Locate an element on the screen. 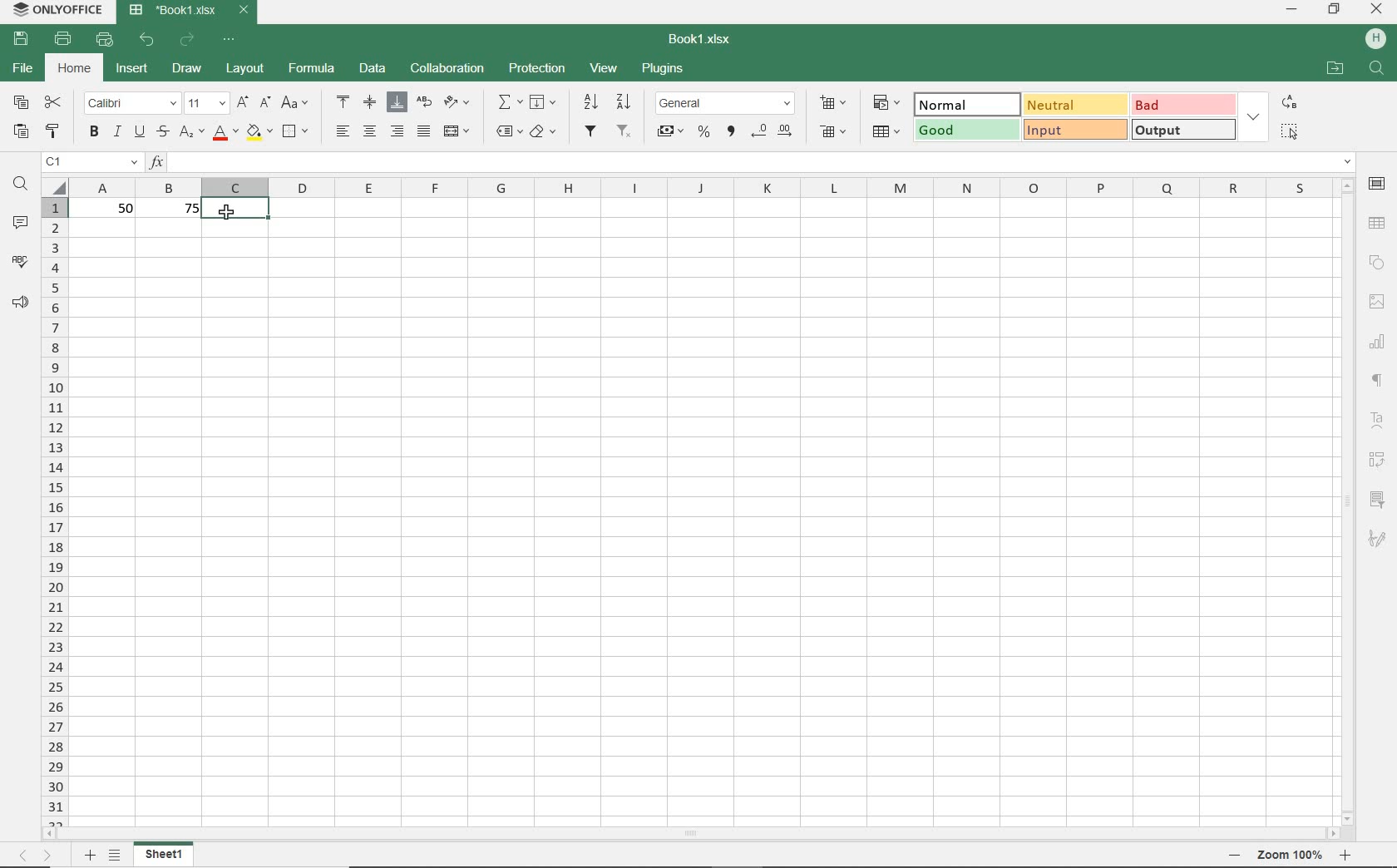 Image resolution: width=1397 pixels, height=868 pixels. borders is located at coordinates (297, 131).